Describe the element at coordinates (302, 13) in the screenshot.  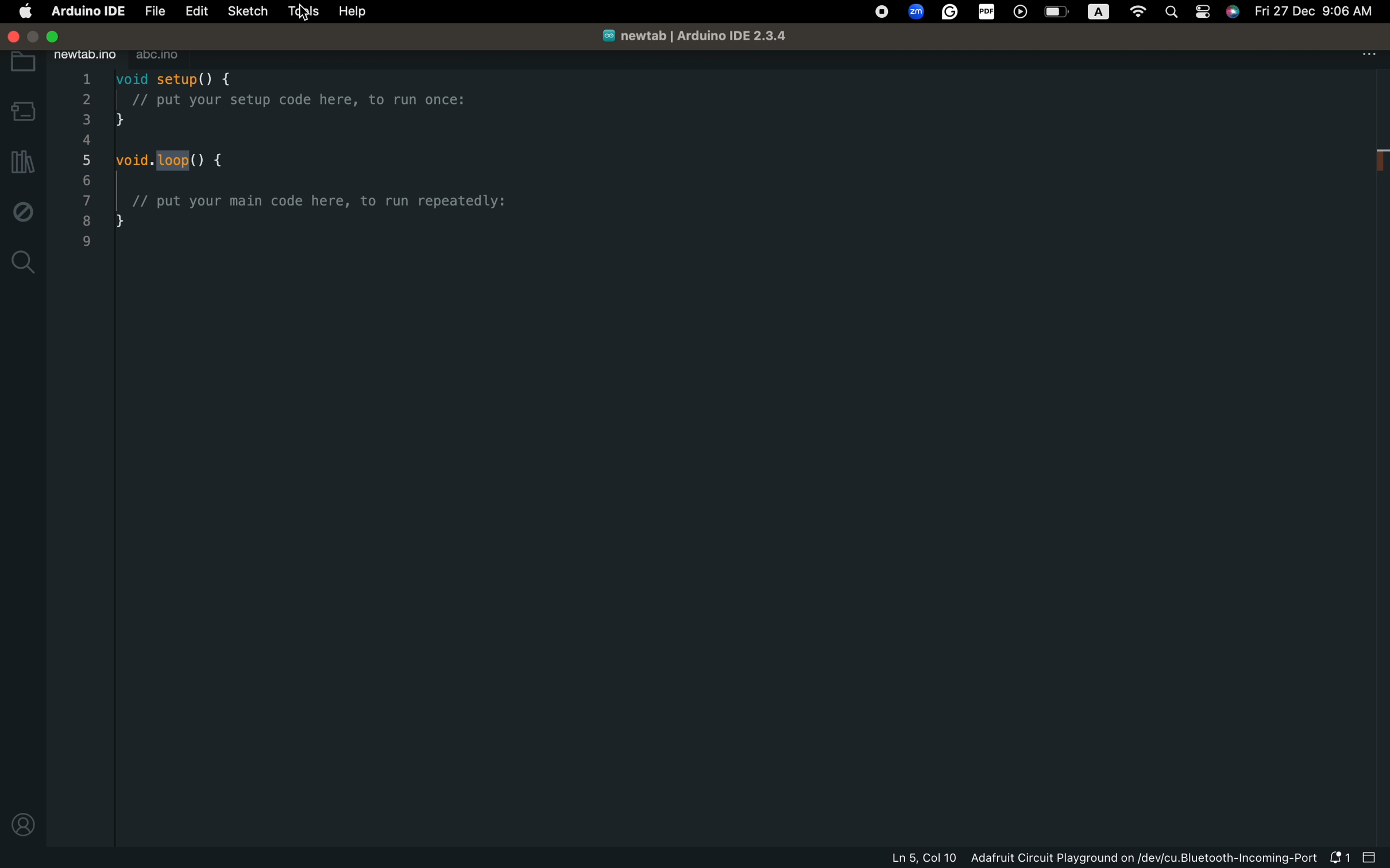
I see `cursor` at that location.